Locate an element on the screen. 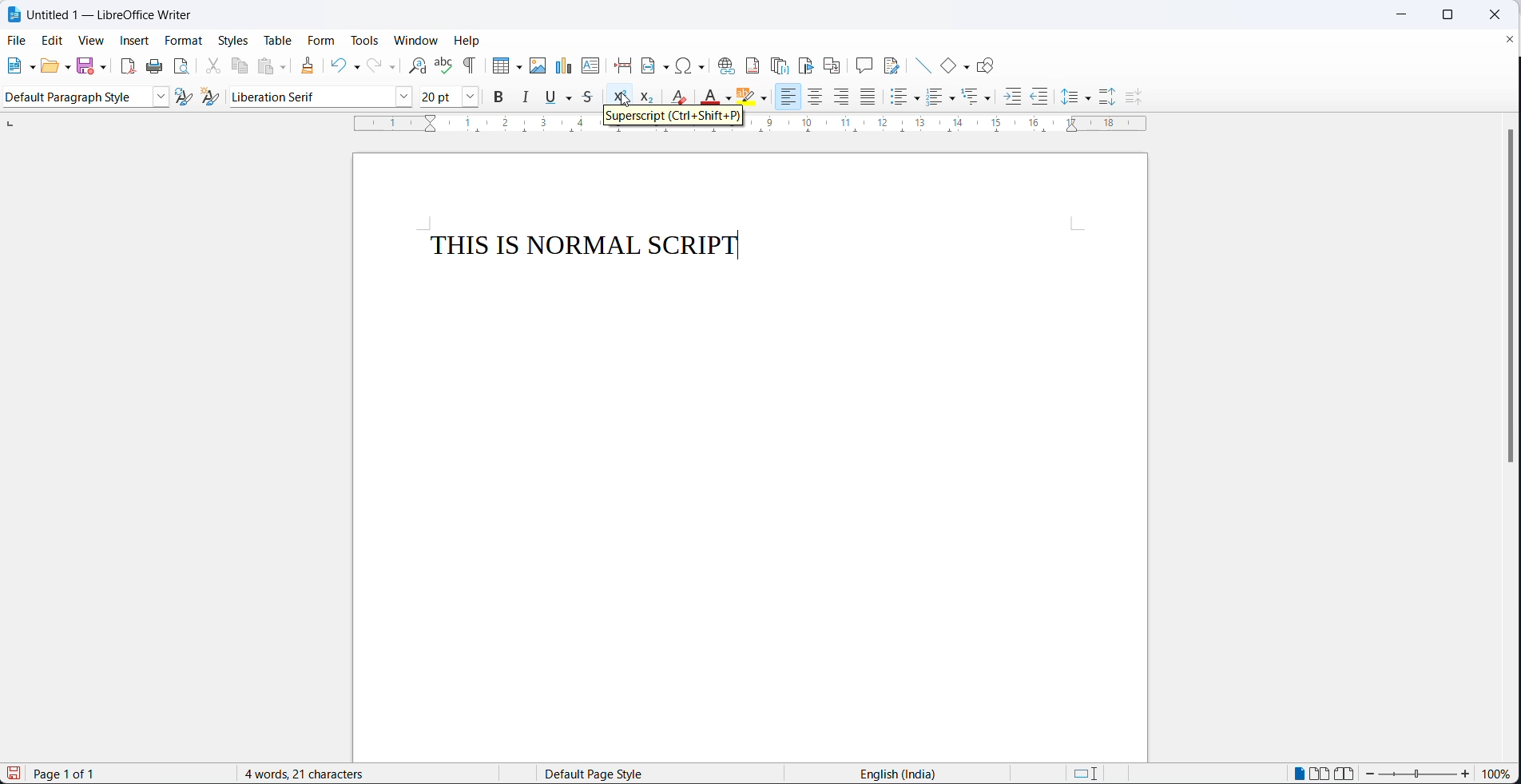 Image resolution: width=1521 pixels, height=784 pixels. insert bookmark is located at coordinates (808, 65).